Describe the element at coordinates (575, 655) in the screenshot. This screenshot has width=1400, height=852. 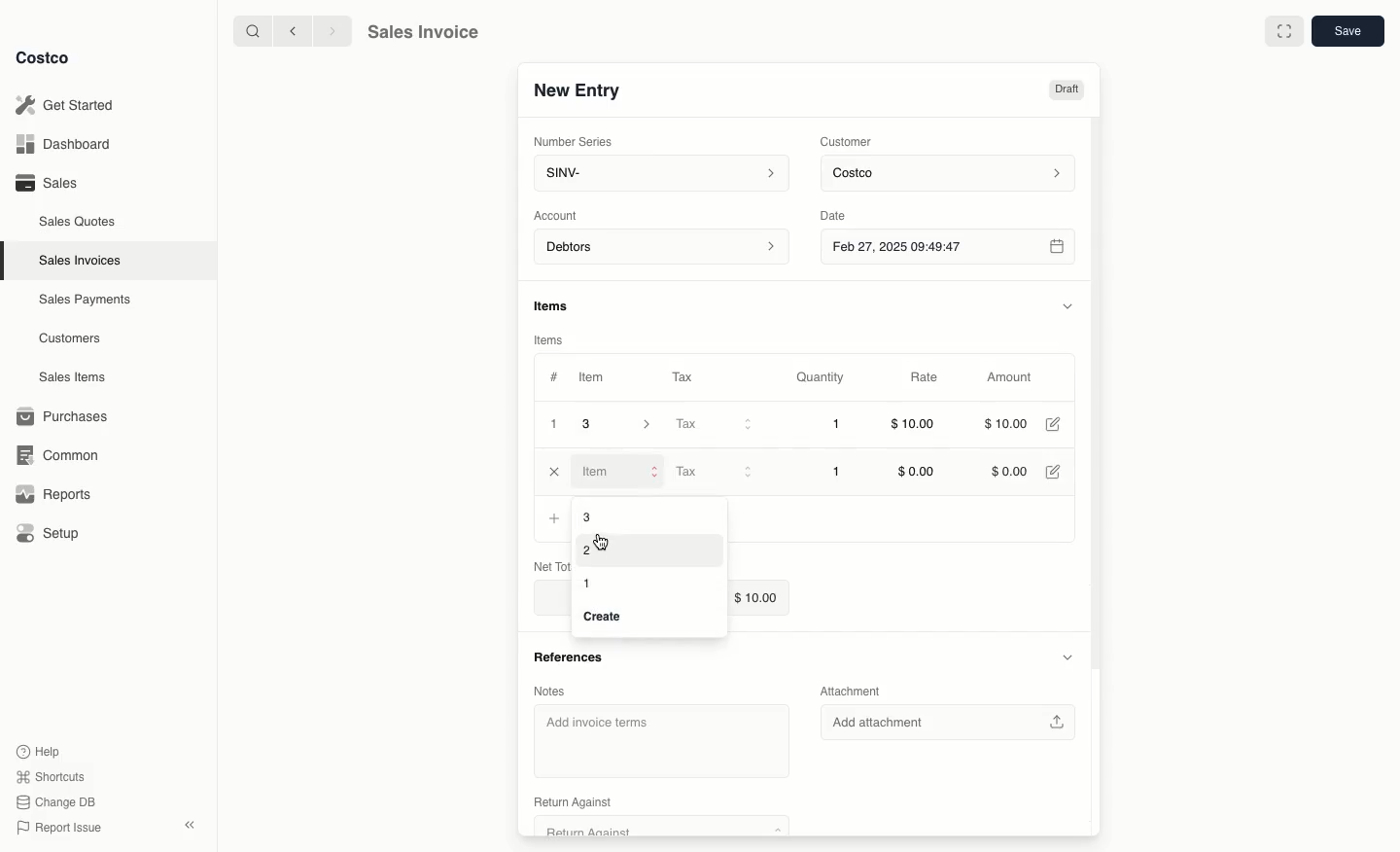
I see `References` at that location.